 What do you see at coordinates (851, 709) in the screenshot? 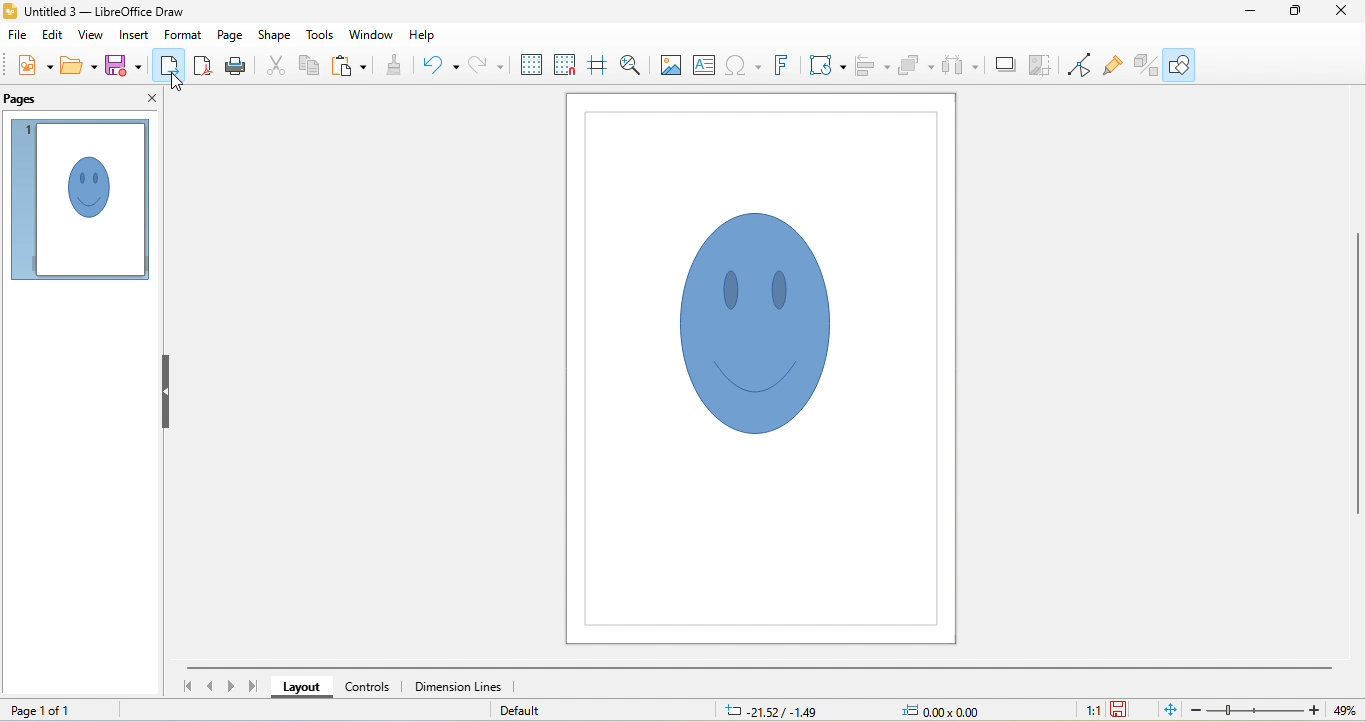
I see `cursor and object position` at bounding box center [851, 709].